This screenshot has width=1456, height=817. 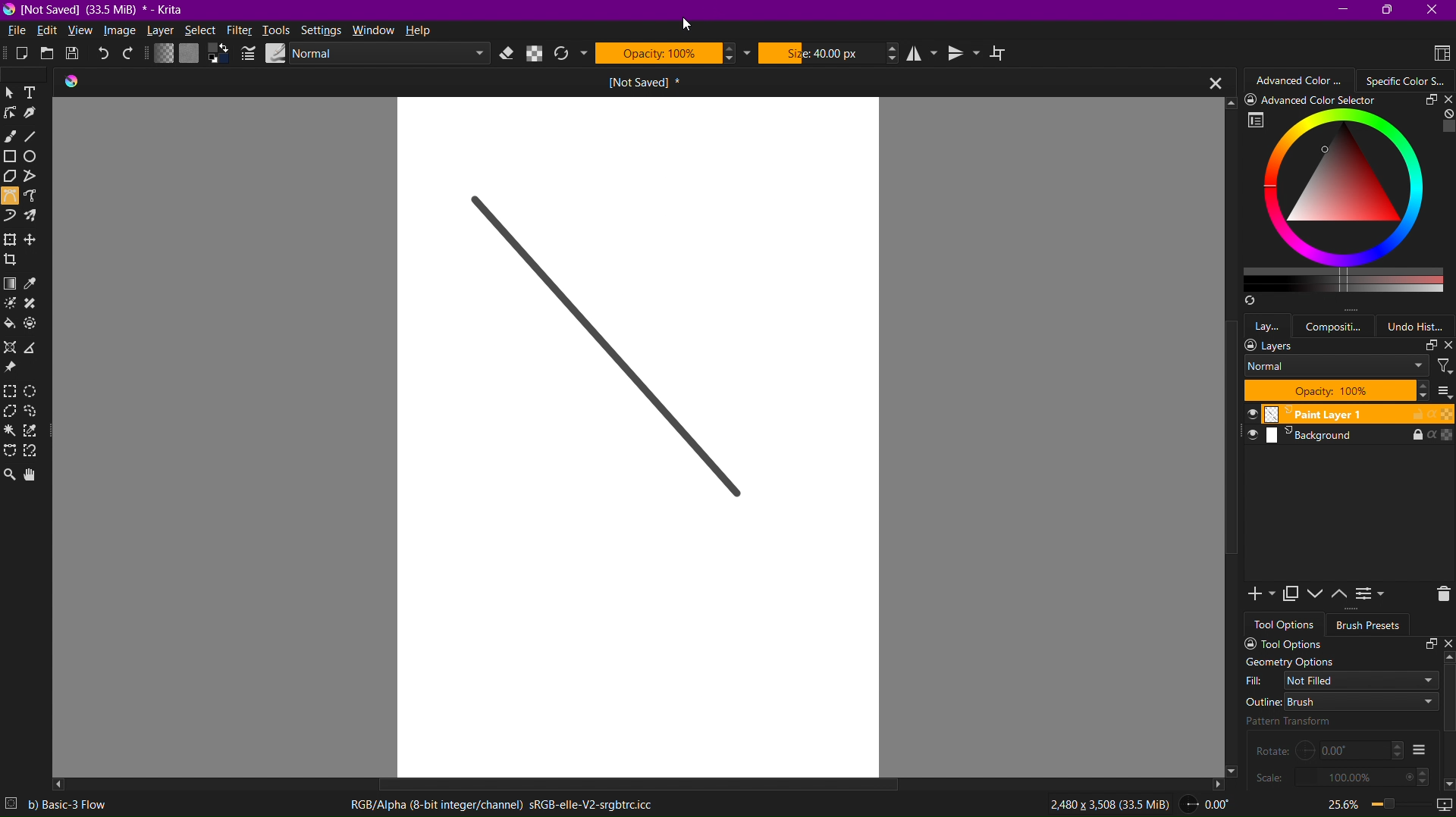 I want to click on Color Wheel, so click(x=1407, y=80).